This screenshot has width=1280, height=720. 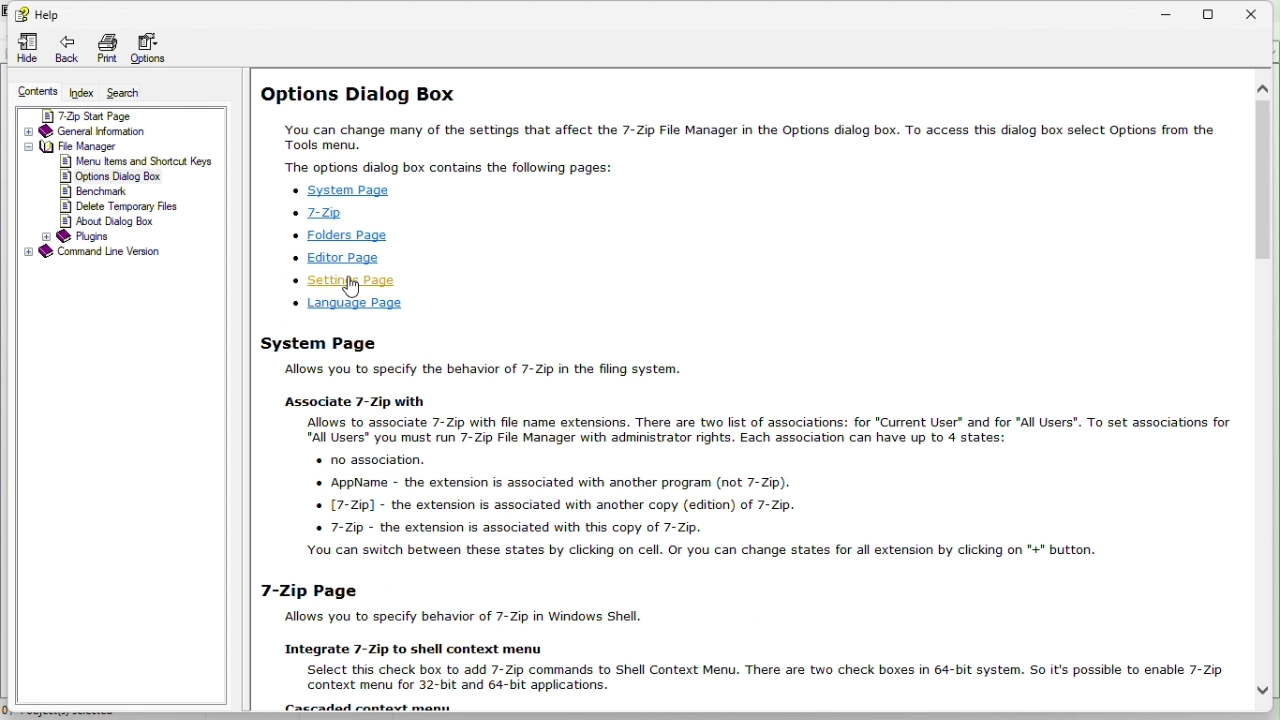 I want to click on system page, so click(x=341, y=189).